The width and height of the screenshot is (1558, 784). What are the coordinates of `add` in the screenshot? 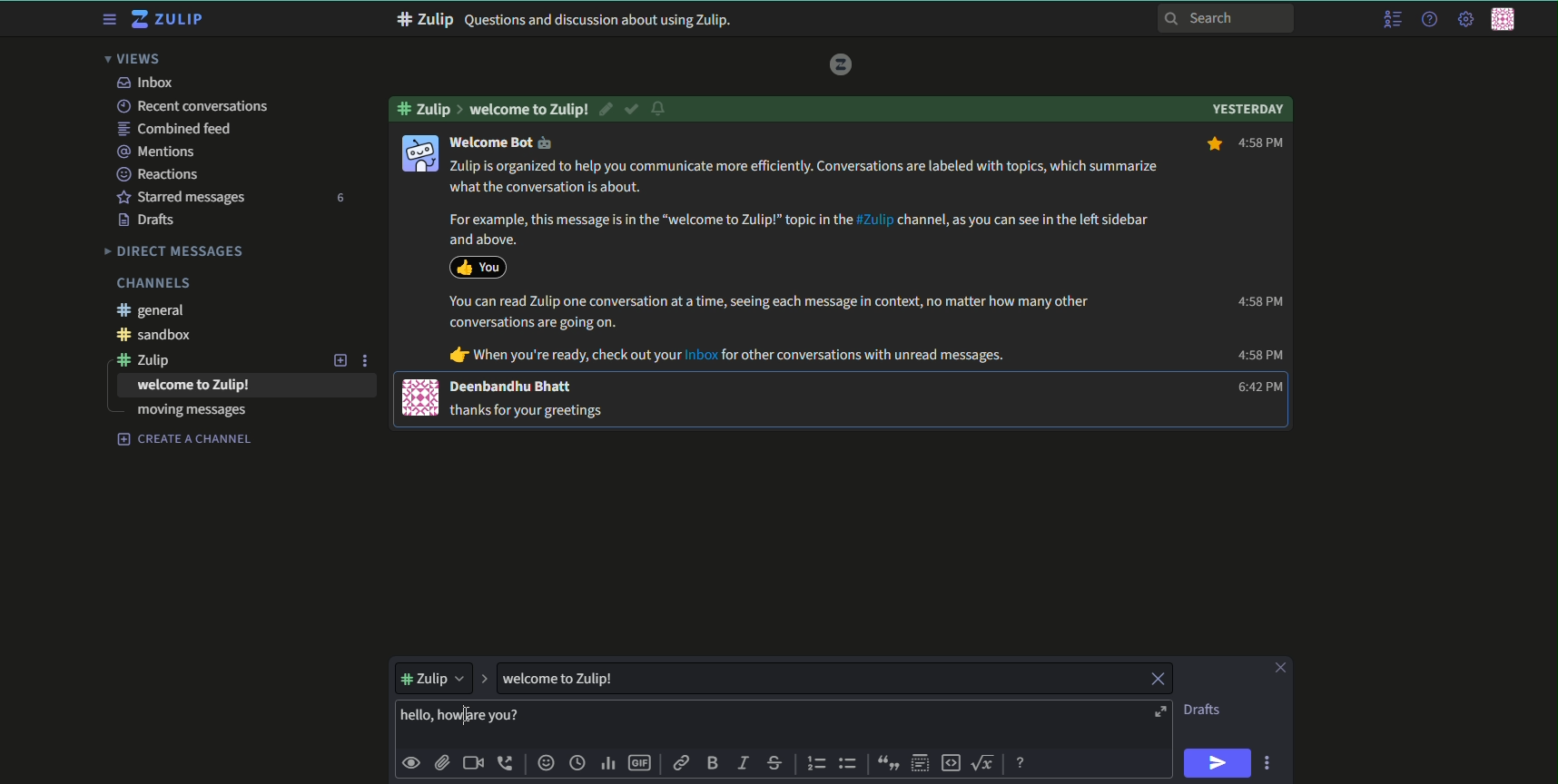 It's located at (338, 359).